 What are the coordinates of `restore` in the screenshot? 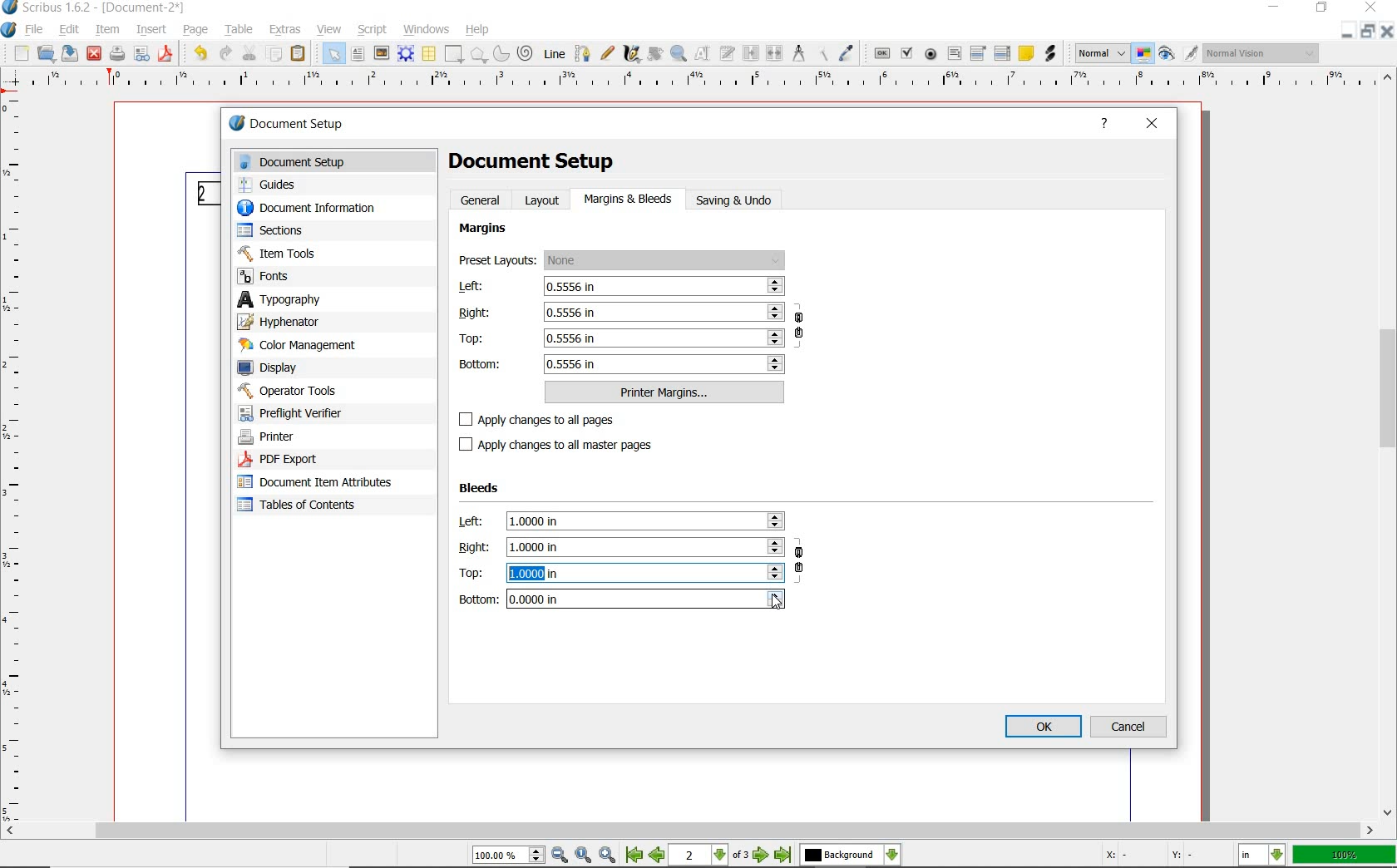 It's located at (1321, 9).